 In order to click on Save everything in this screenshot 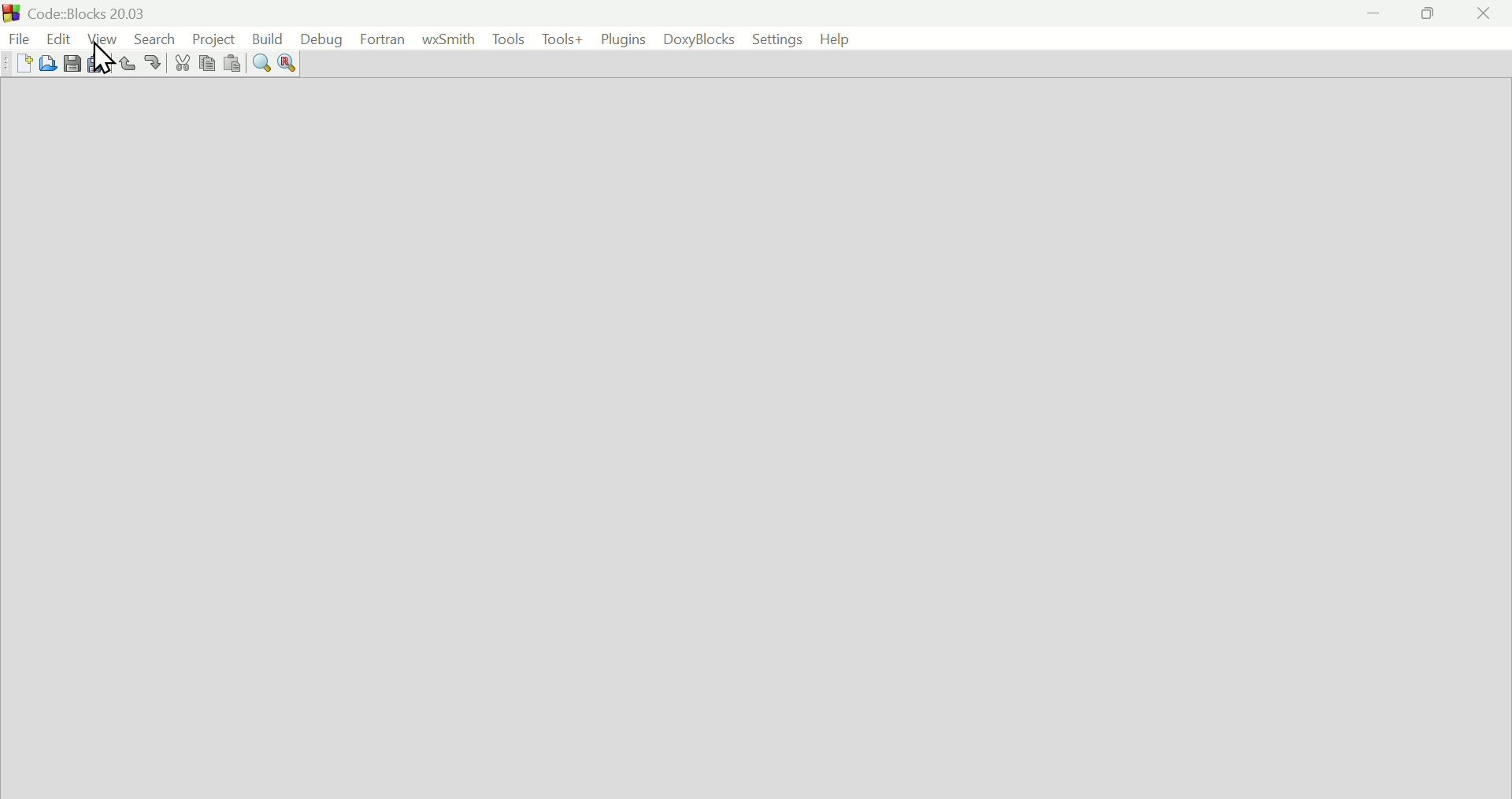, I will do `click(99, 65)`.